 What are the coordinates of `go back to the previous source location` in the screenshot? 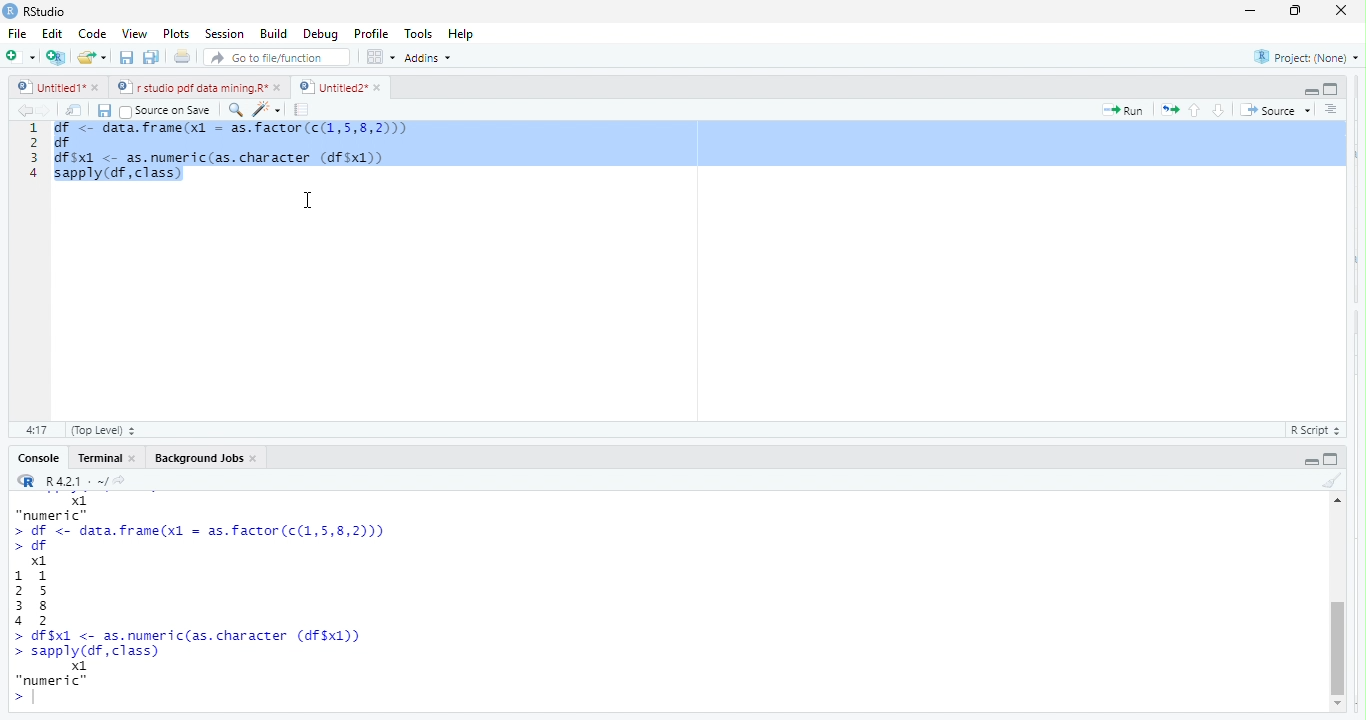 It's located at (24, 110).